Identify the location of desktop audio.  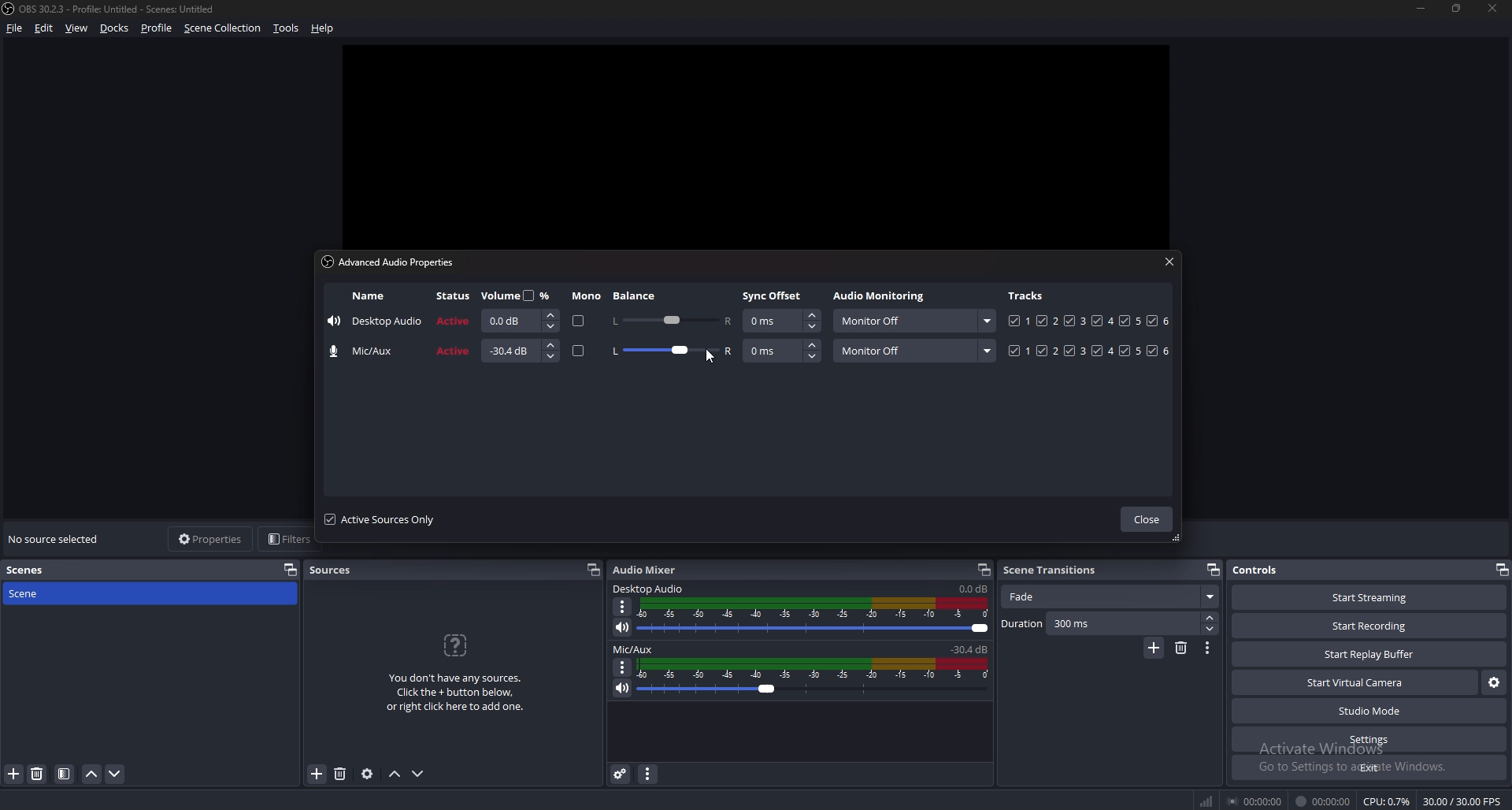
(649, 588).